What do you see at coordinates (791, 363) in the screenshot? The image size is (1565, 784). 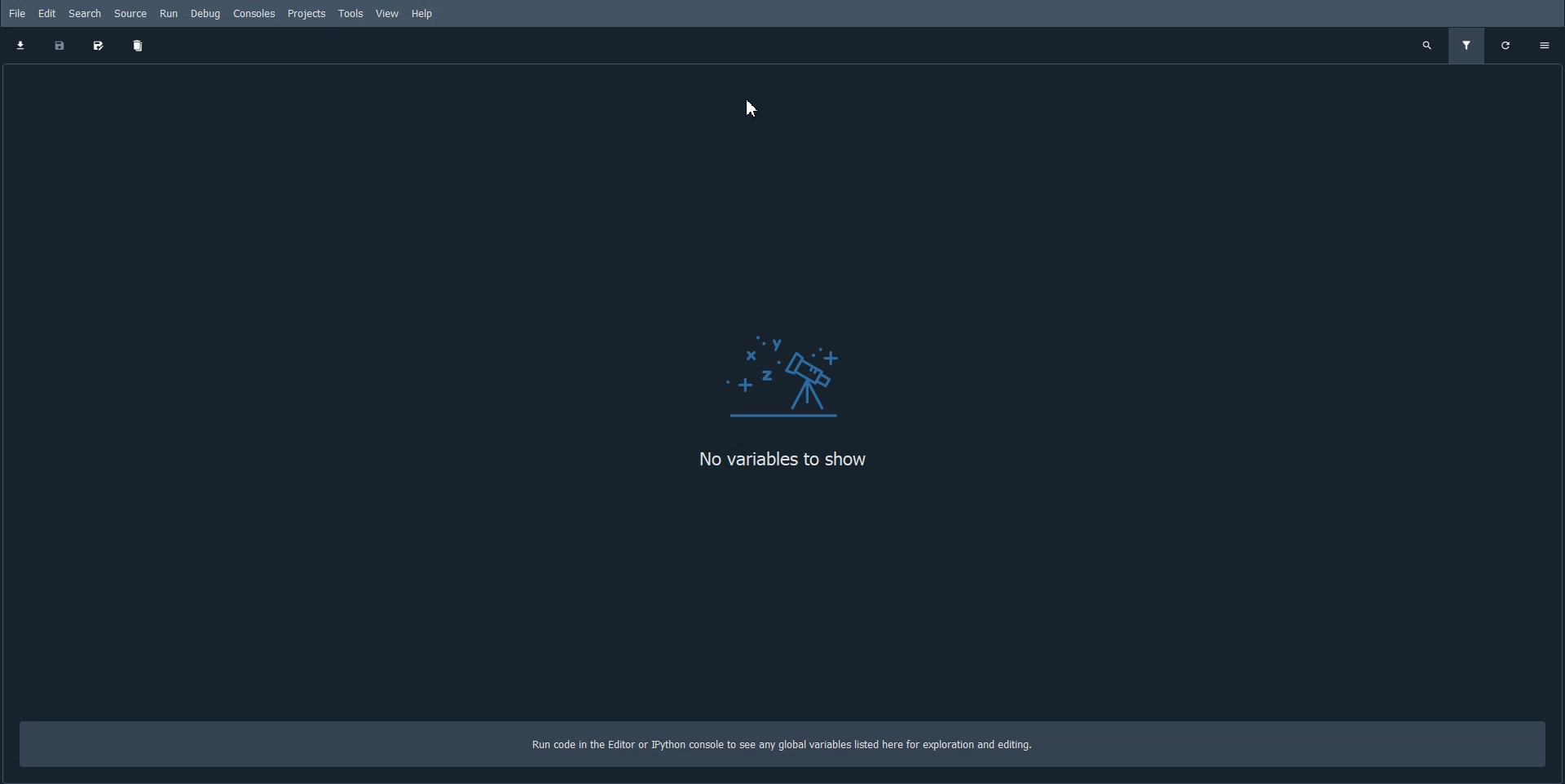 I see `Logo` at bounding box center [791, 363].